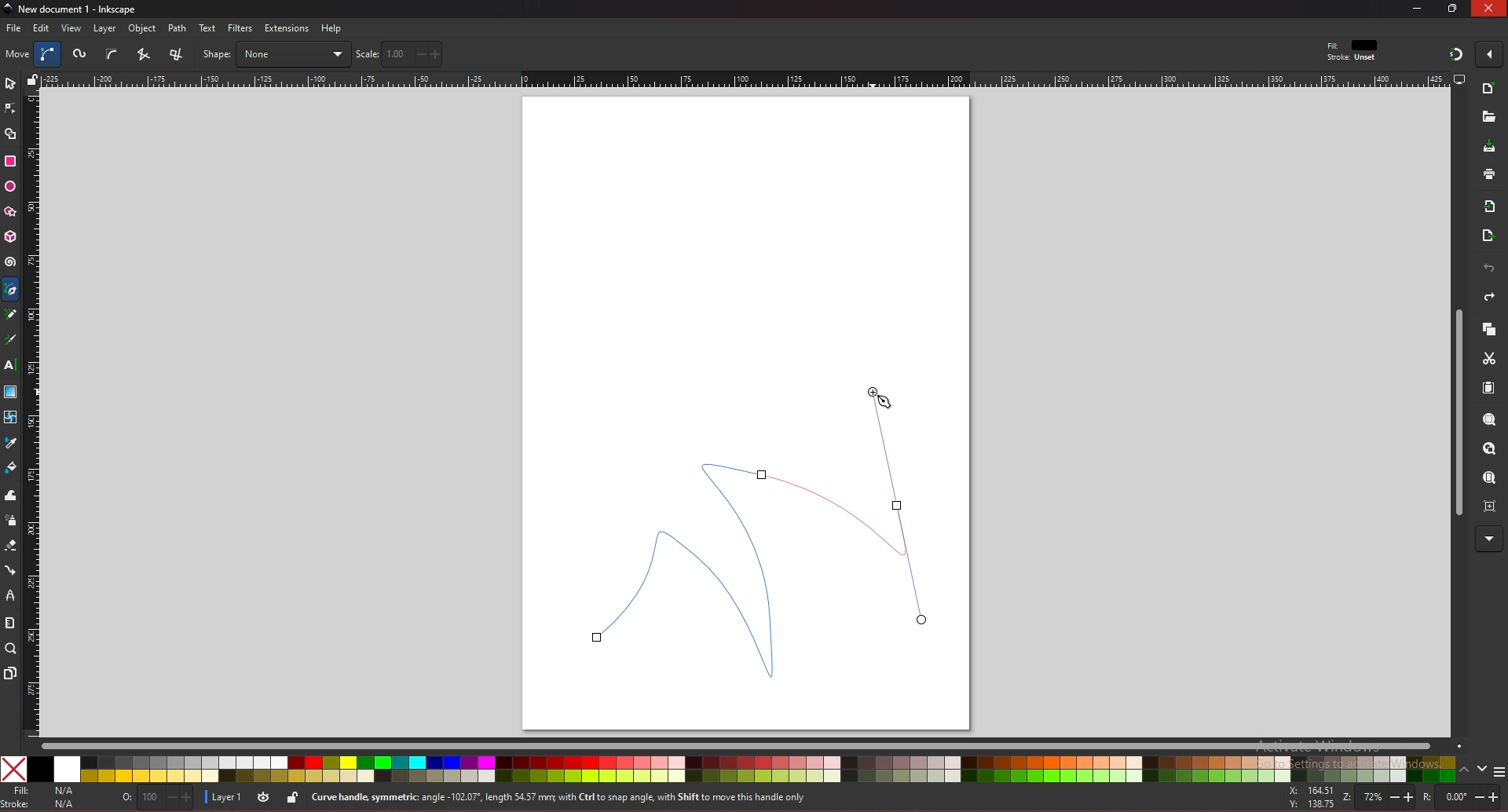 The width and height of the screenshot is (1508, 812). What do you see at coordinates (1488, 330) in the screenshot?
I see `copy` at bounding box center [1488, 330].